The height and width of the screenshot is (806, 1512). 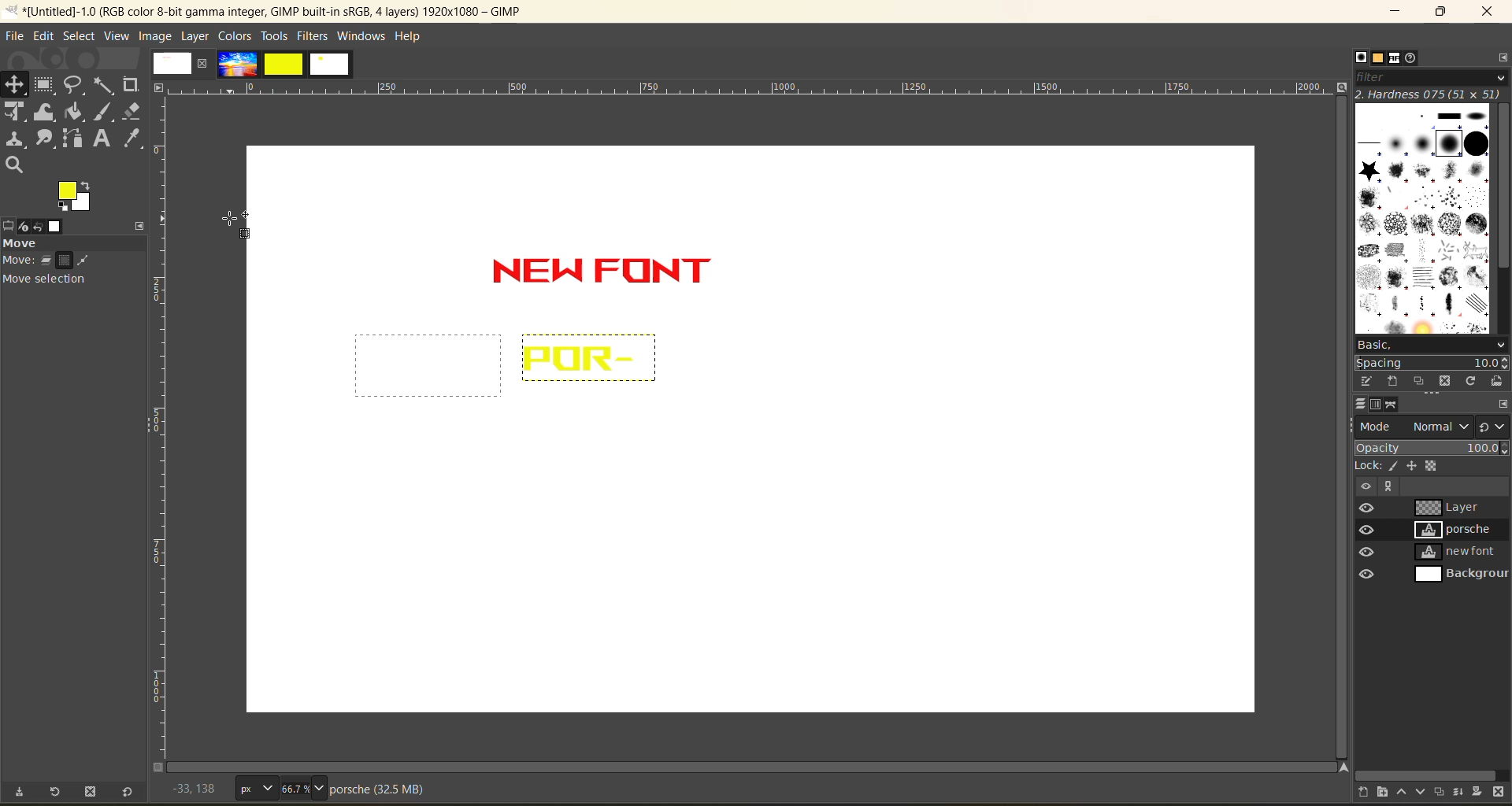 What do you see at coordinates (286, 64) in the screenshot?
I see `images` at bounding box center [286, 64].